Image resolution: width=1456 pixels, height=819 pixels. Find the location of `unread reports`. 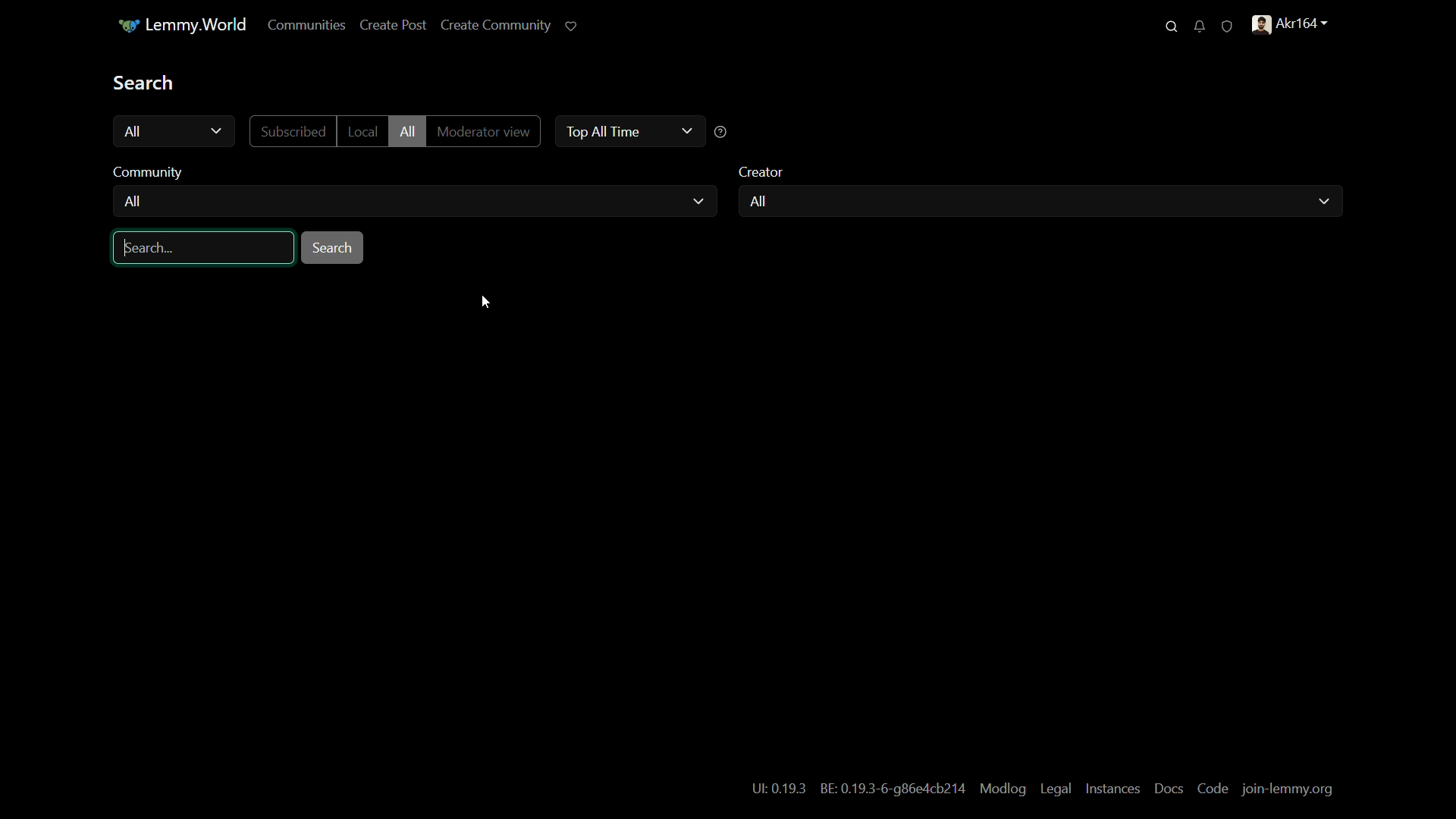

unread reports is located at coordinates (1227, 25).